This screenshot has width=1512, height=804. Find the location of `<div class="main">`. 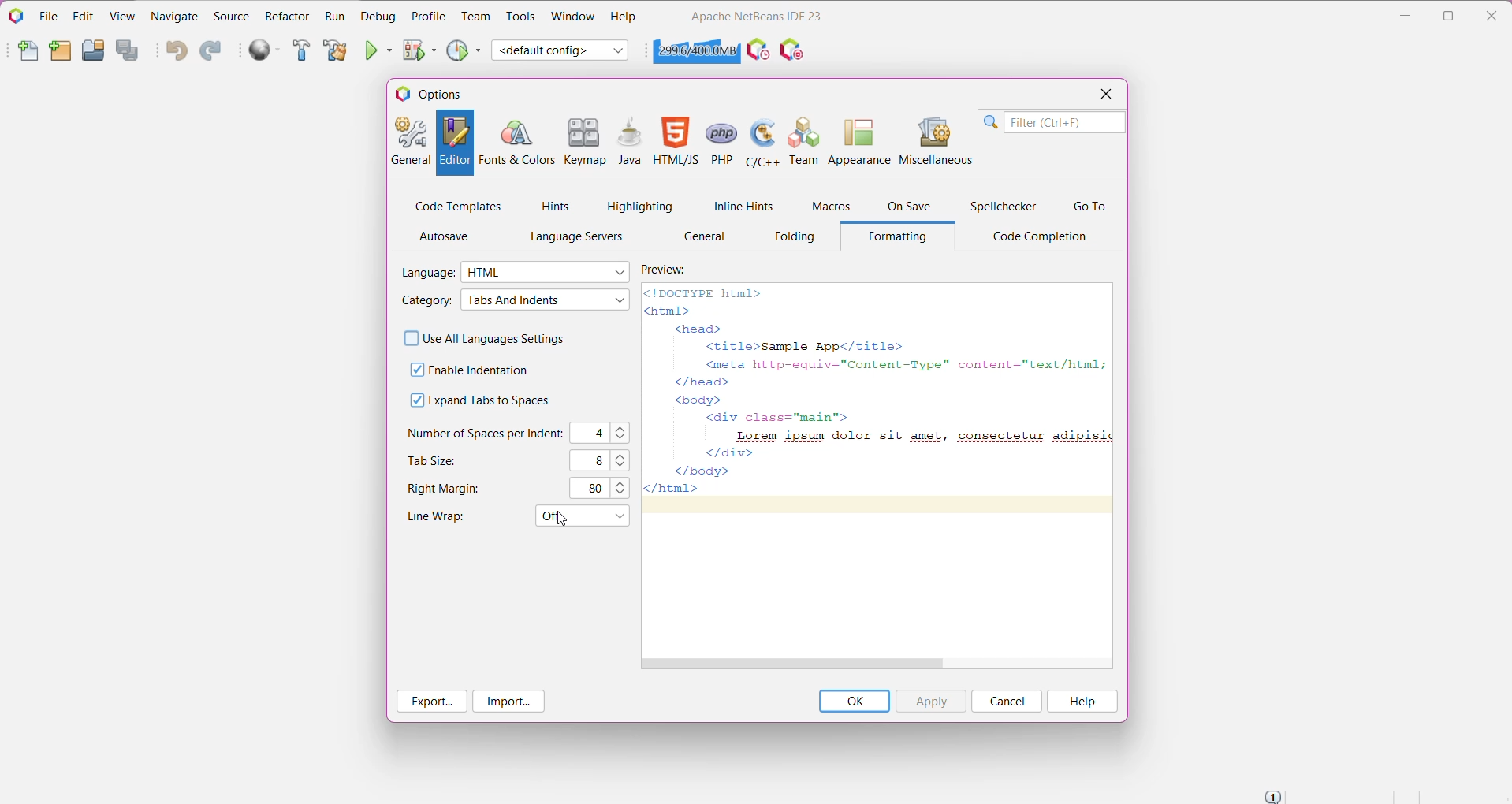

<div class="main"> is located at coordinates (777, 418).